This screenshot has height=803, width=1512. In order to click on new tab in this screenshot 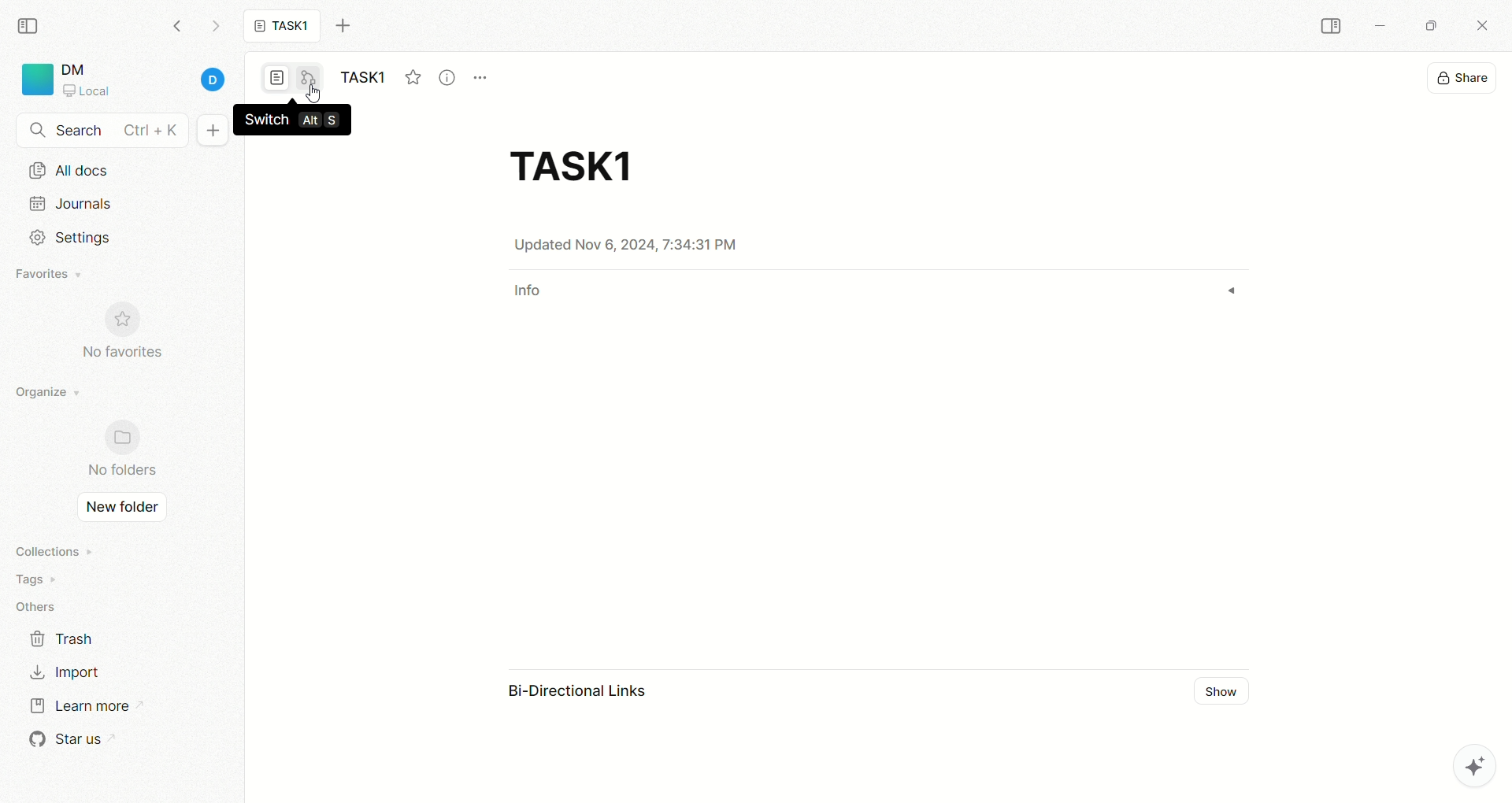, I will do `click(352, 26)`.